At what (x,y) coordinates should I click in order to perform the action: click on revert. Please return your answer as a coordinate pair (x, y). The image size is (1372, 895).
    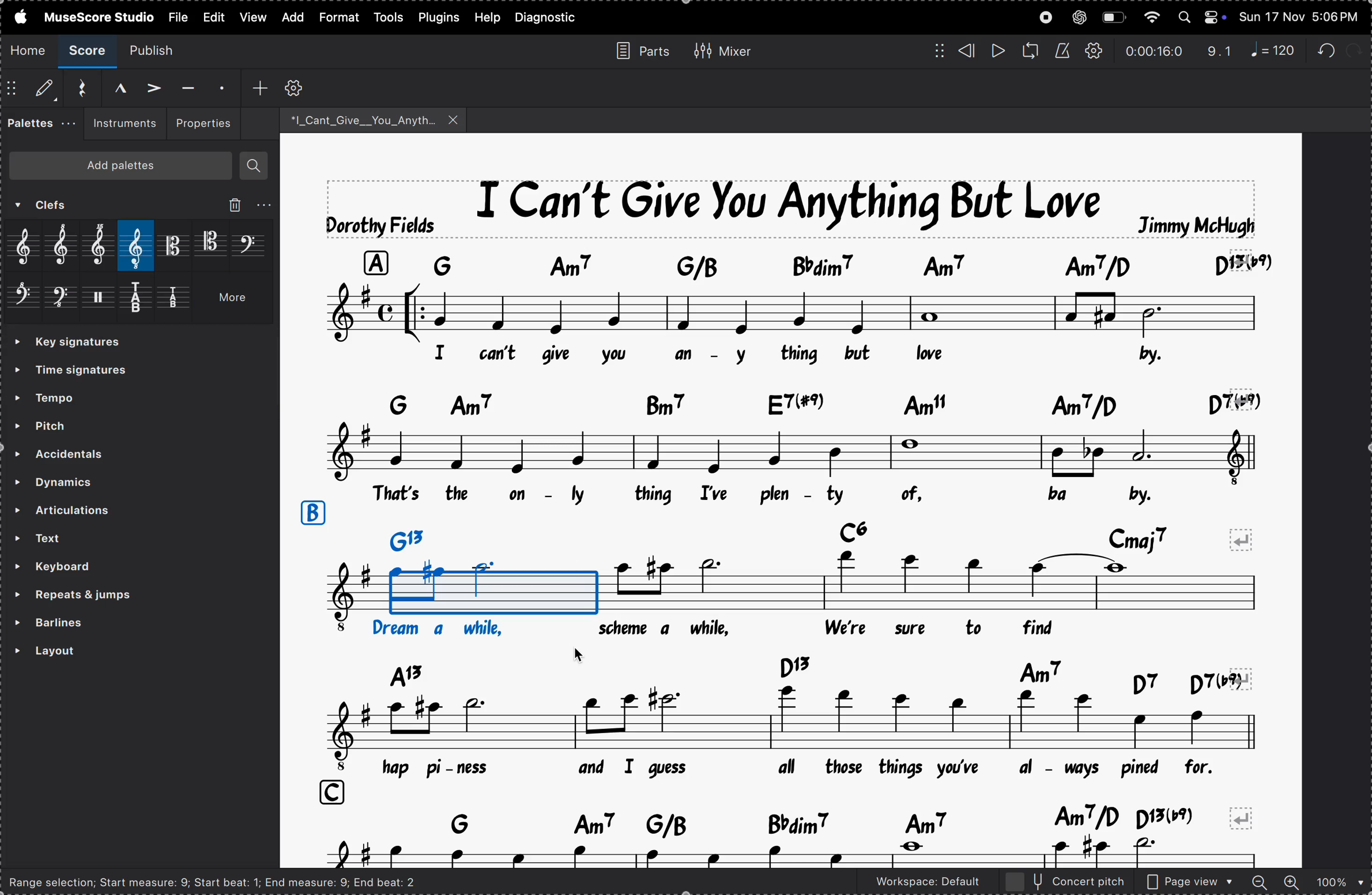
    Looking at the image, I should click on (1245, 814).